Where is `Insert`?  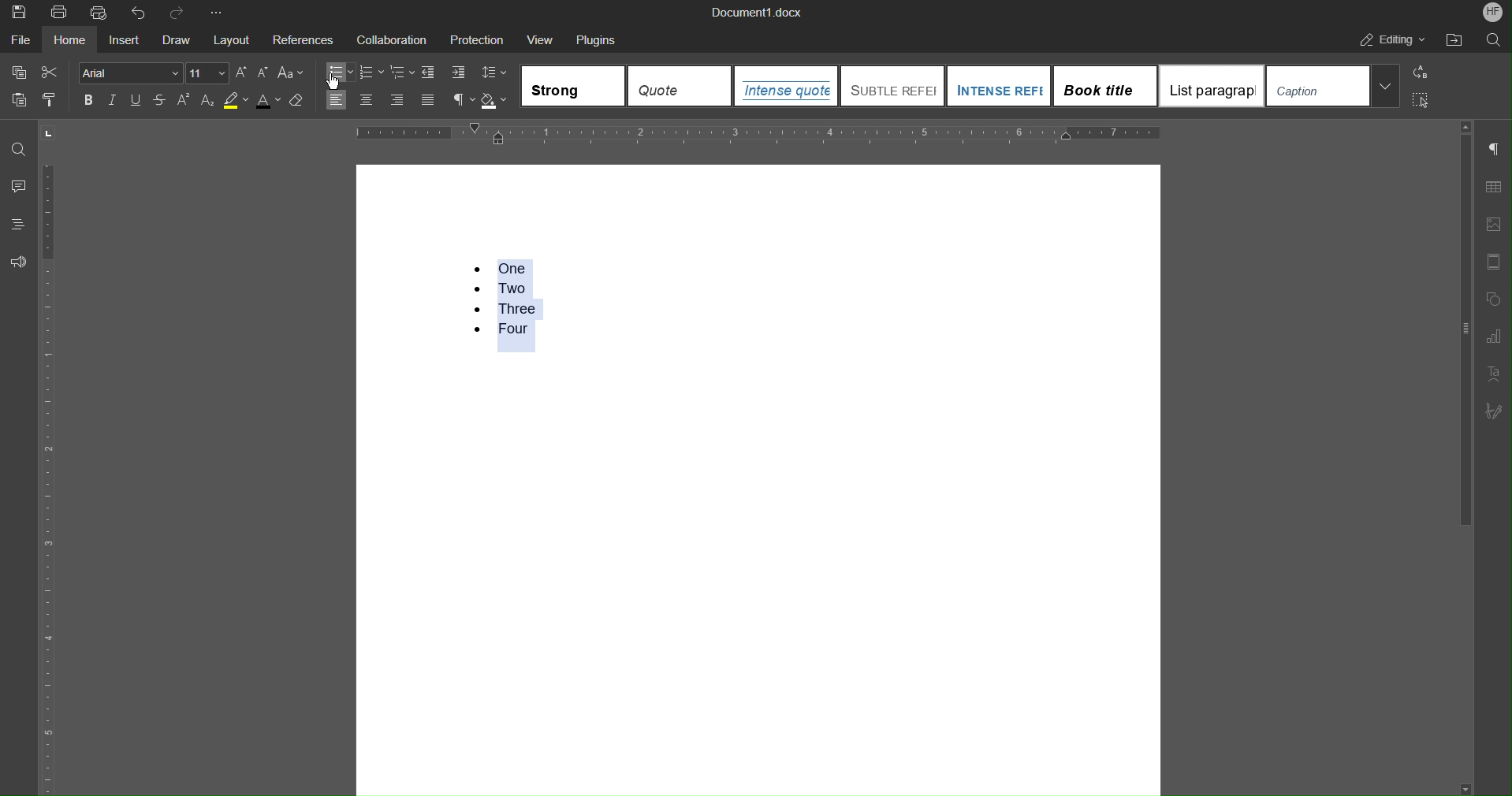
Insert is located at coordinates (128, 38).